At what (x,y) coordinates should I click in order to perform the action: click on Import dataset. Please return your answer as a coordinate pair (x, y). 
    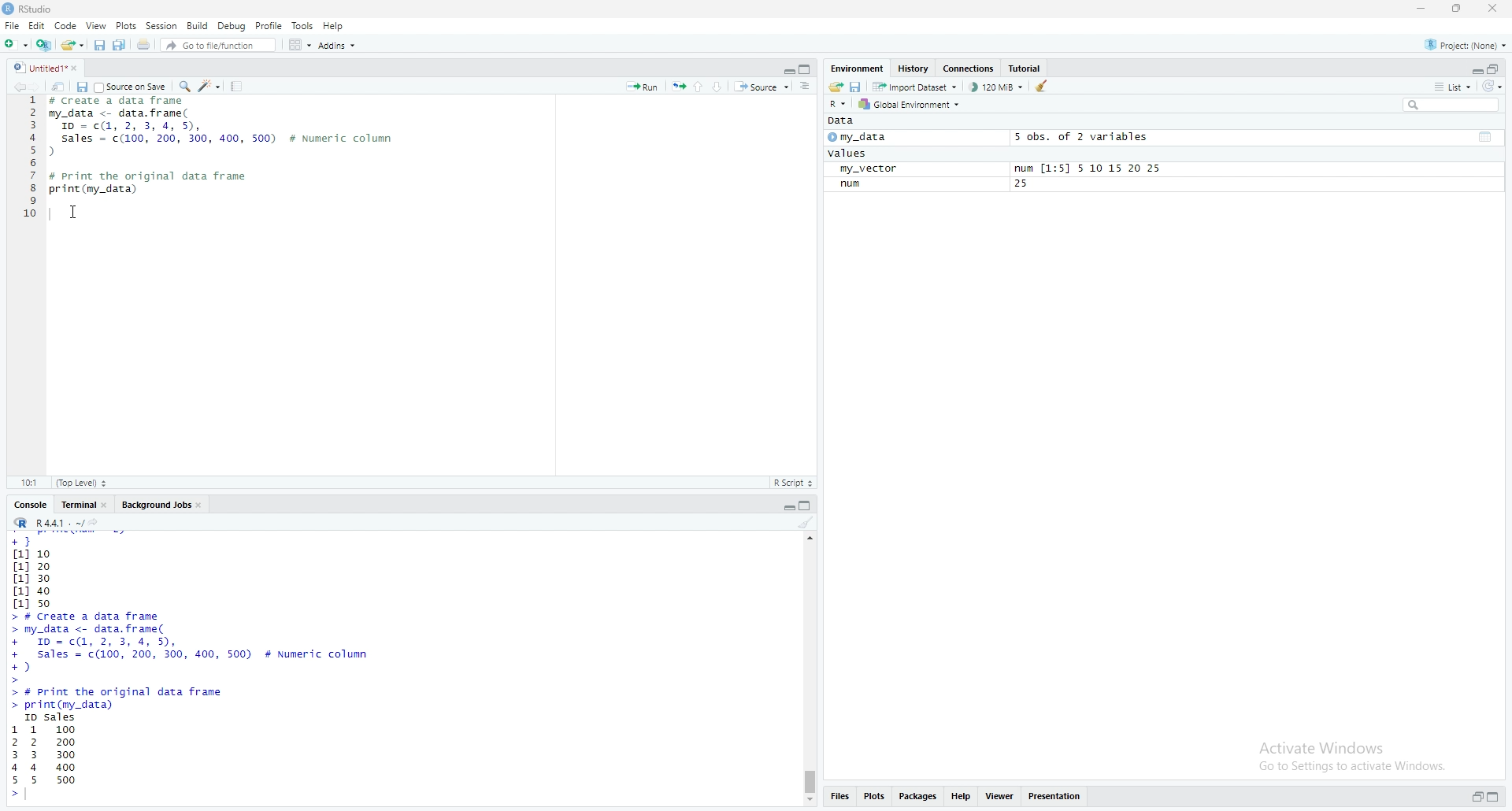
    Looking at the image, I should click on (918, 87).